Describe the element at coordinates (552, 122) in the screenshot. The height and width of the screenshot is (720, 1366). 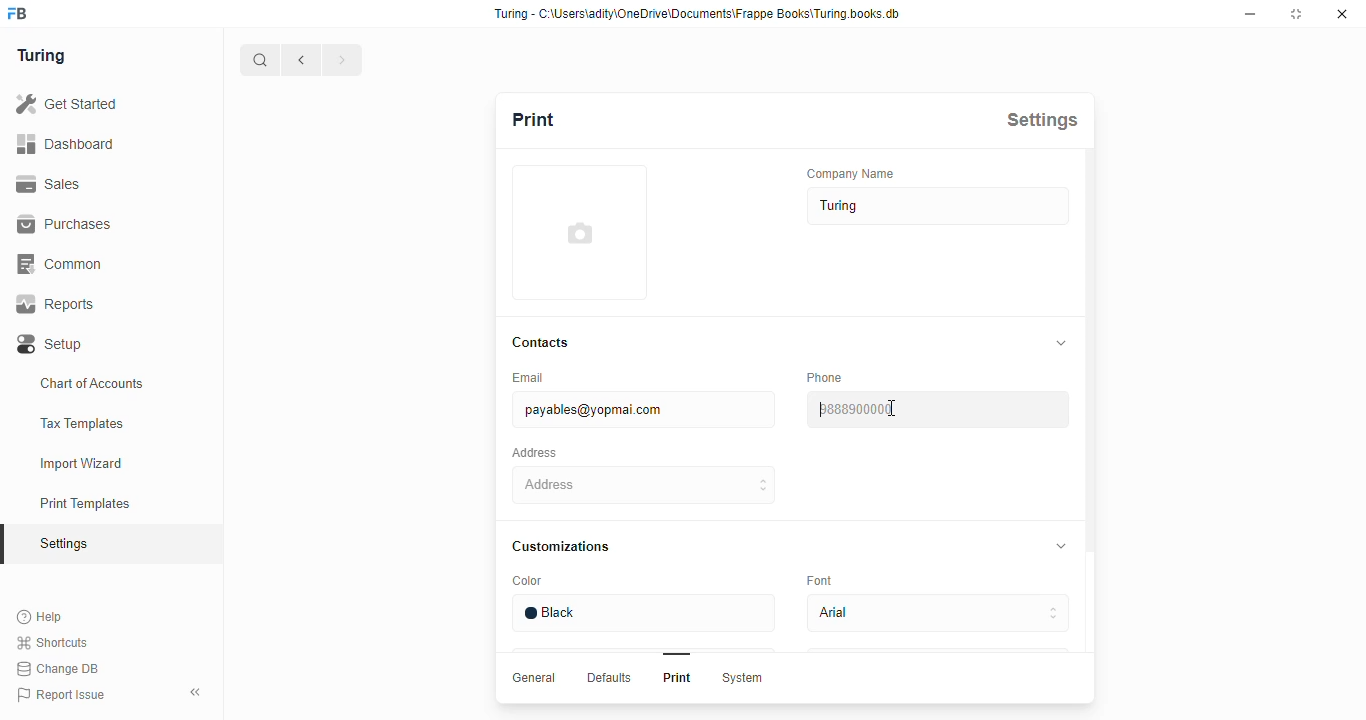
I see `Print` at that location.